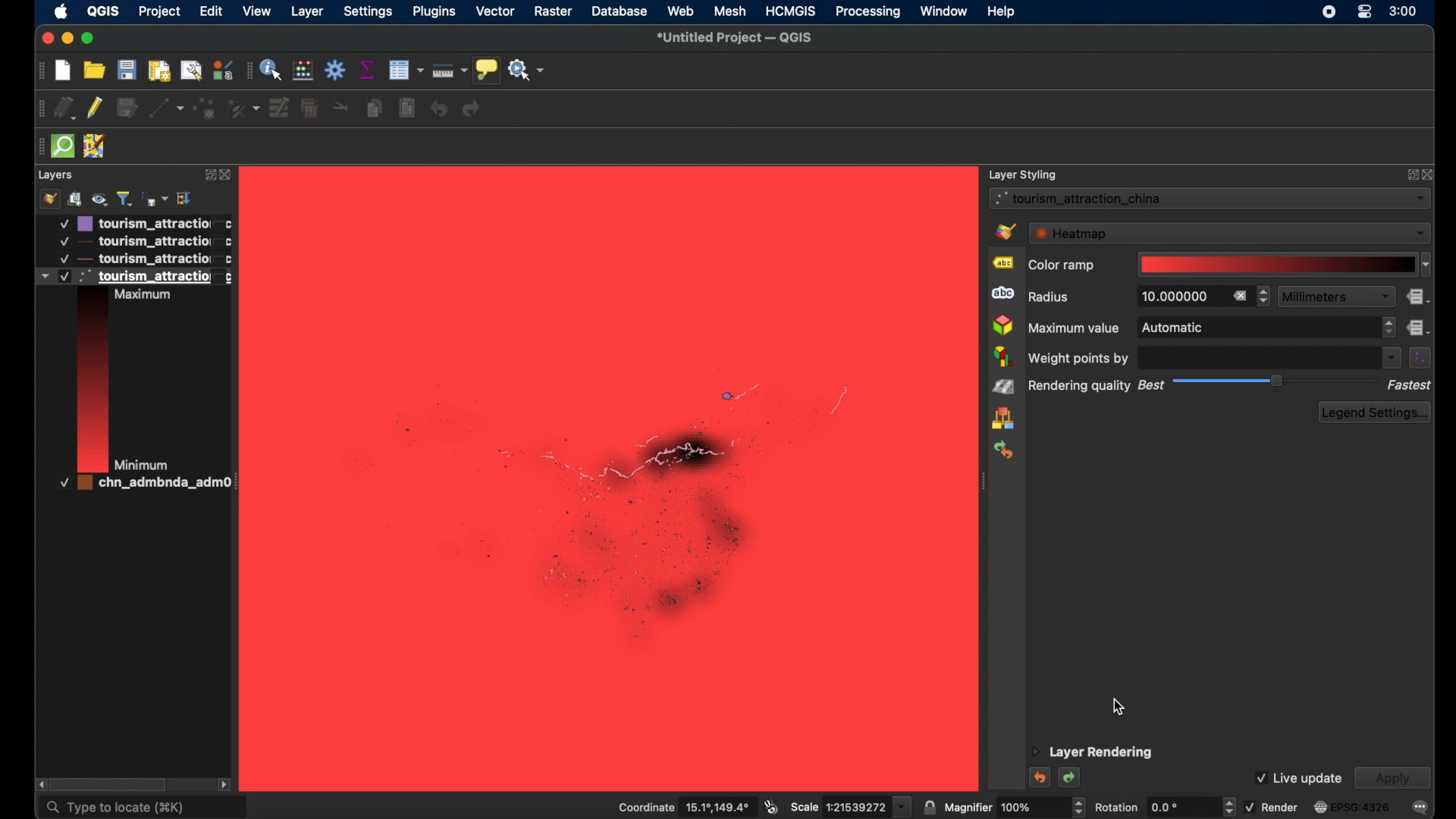 The width and height of the screenshot is (1456, 819). Describe the element at coordinates (1419, 297) in the screenshot. I see `data defined override` at that location.